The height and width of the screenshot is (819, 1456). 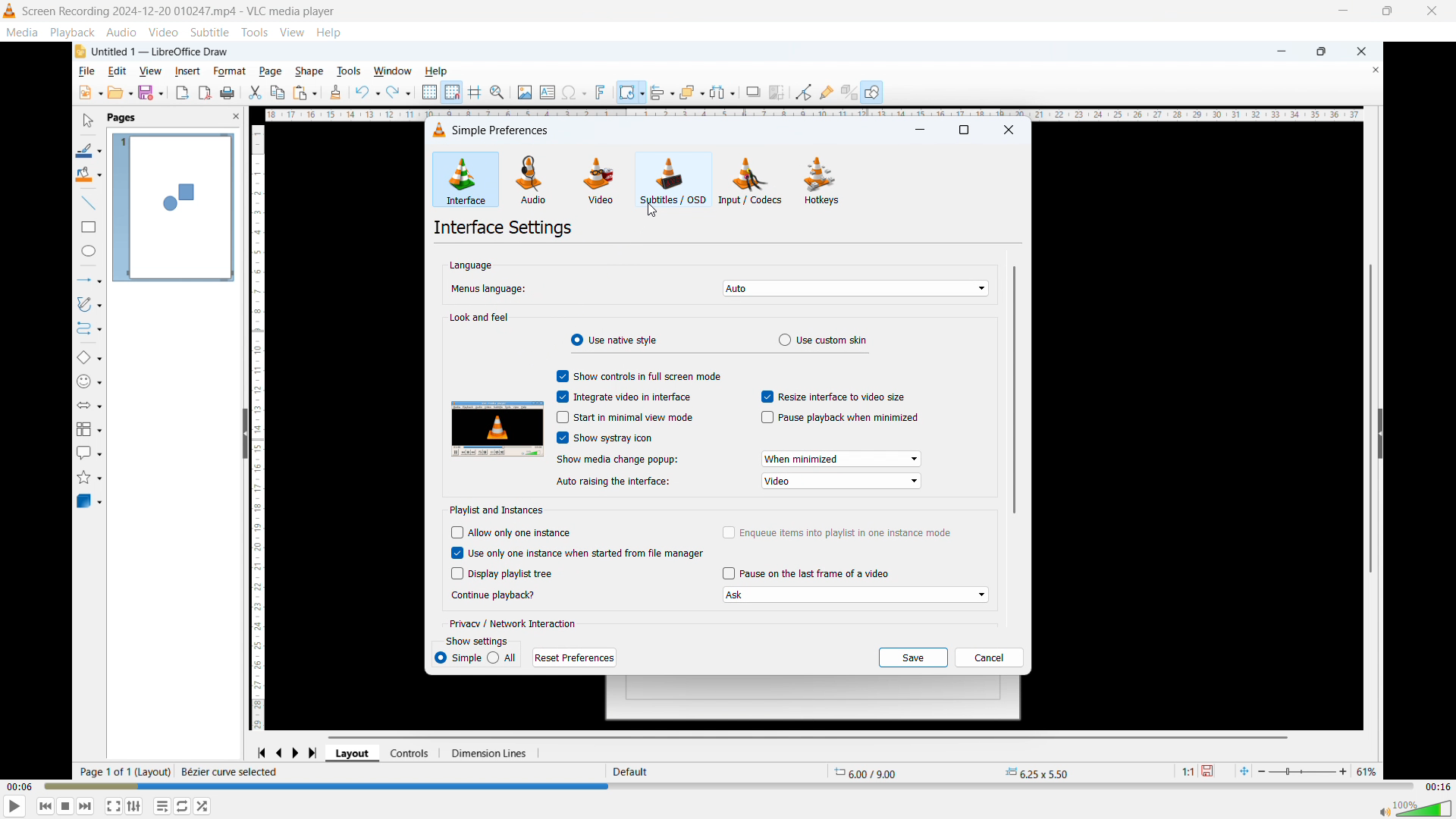 I want to click on close , so click(x=1432, y=11).